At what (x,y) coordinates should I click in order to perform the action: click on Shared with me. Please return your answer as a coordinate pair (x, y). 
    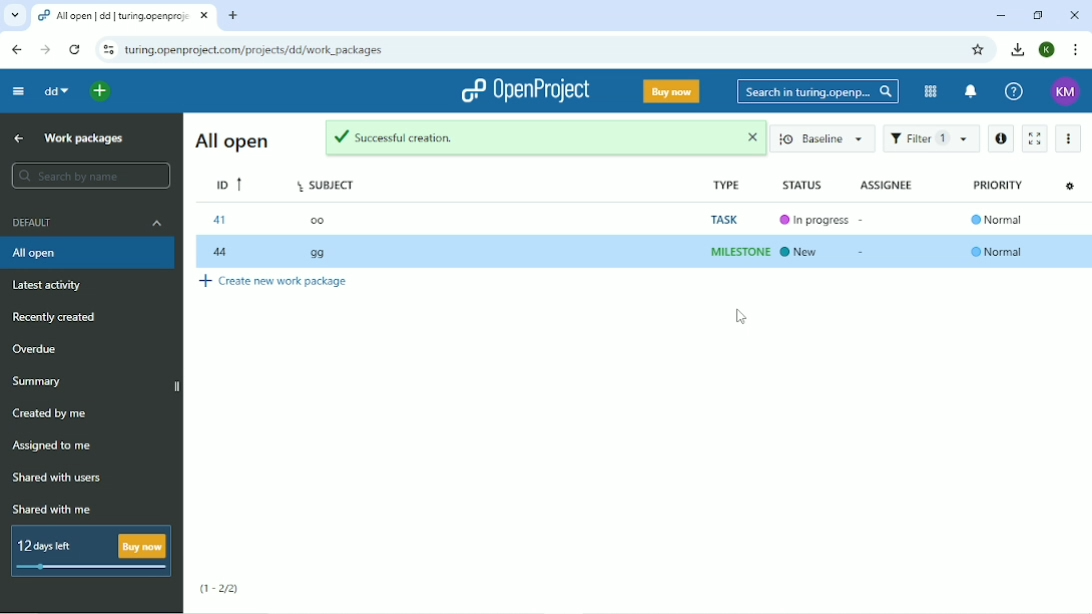
    Looking at the image, I should click on (51, 510).